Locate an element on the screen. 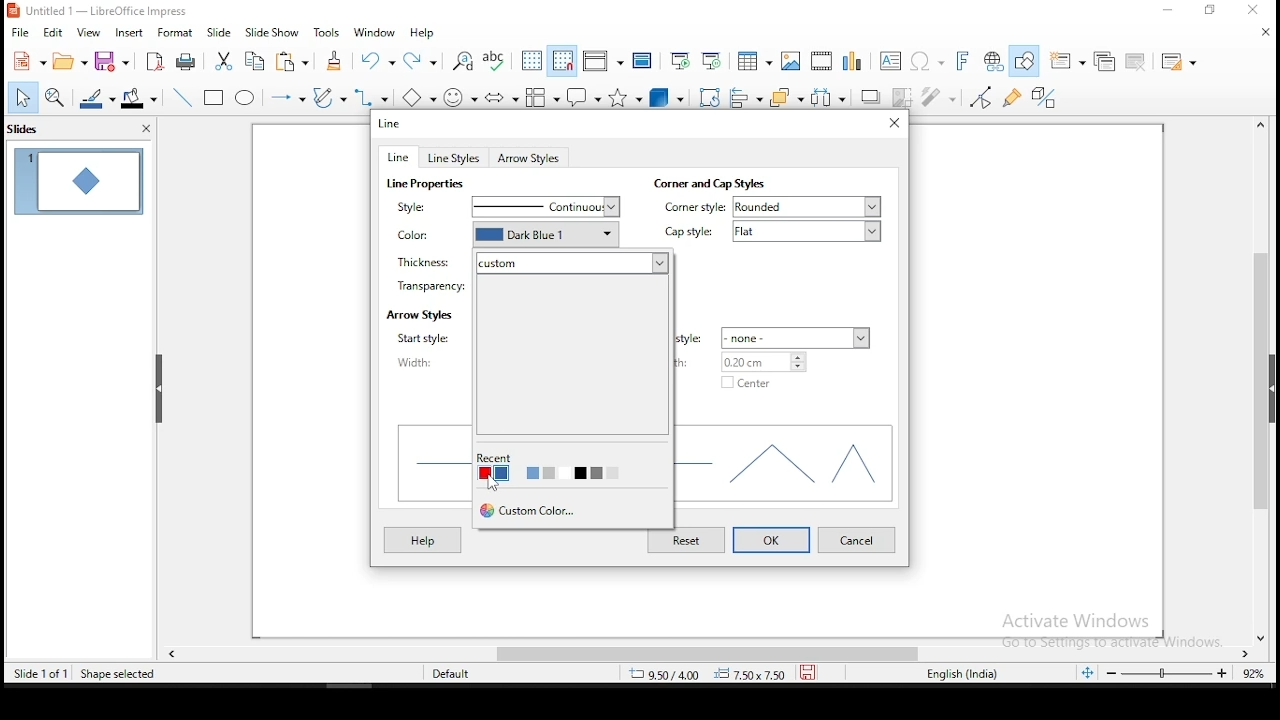  line is located at coordinates (400, 157).